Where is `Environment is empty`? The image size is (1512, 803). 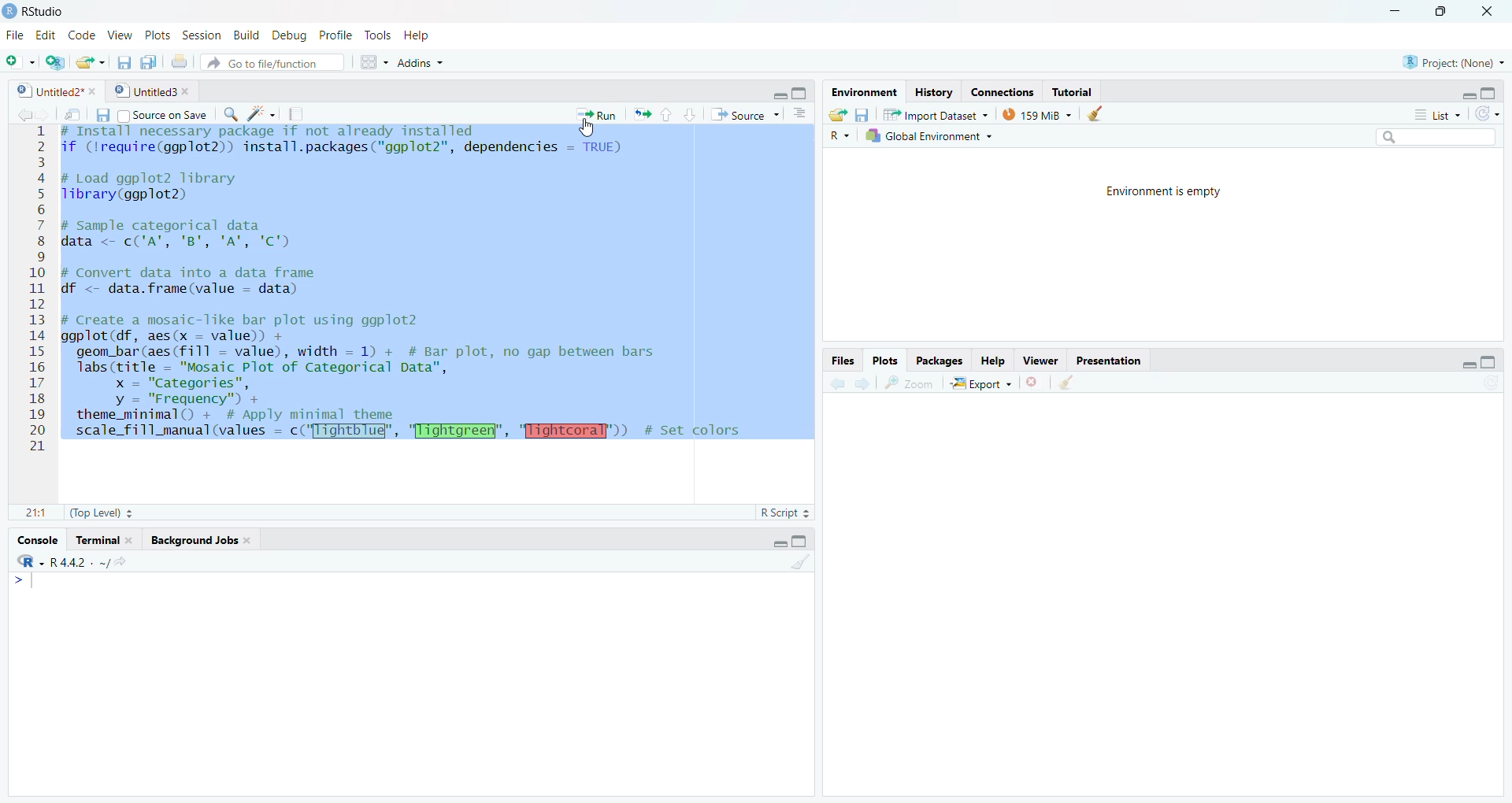 Environment is empty is located at coordinates (1169, 192).